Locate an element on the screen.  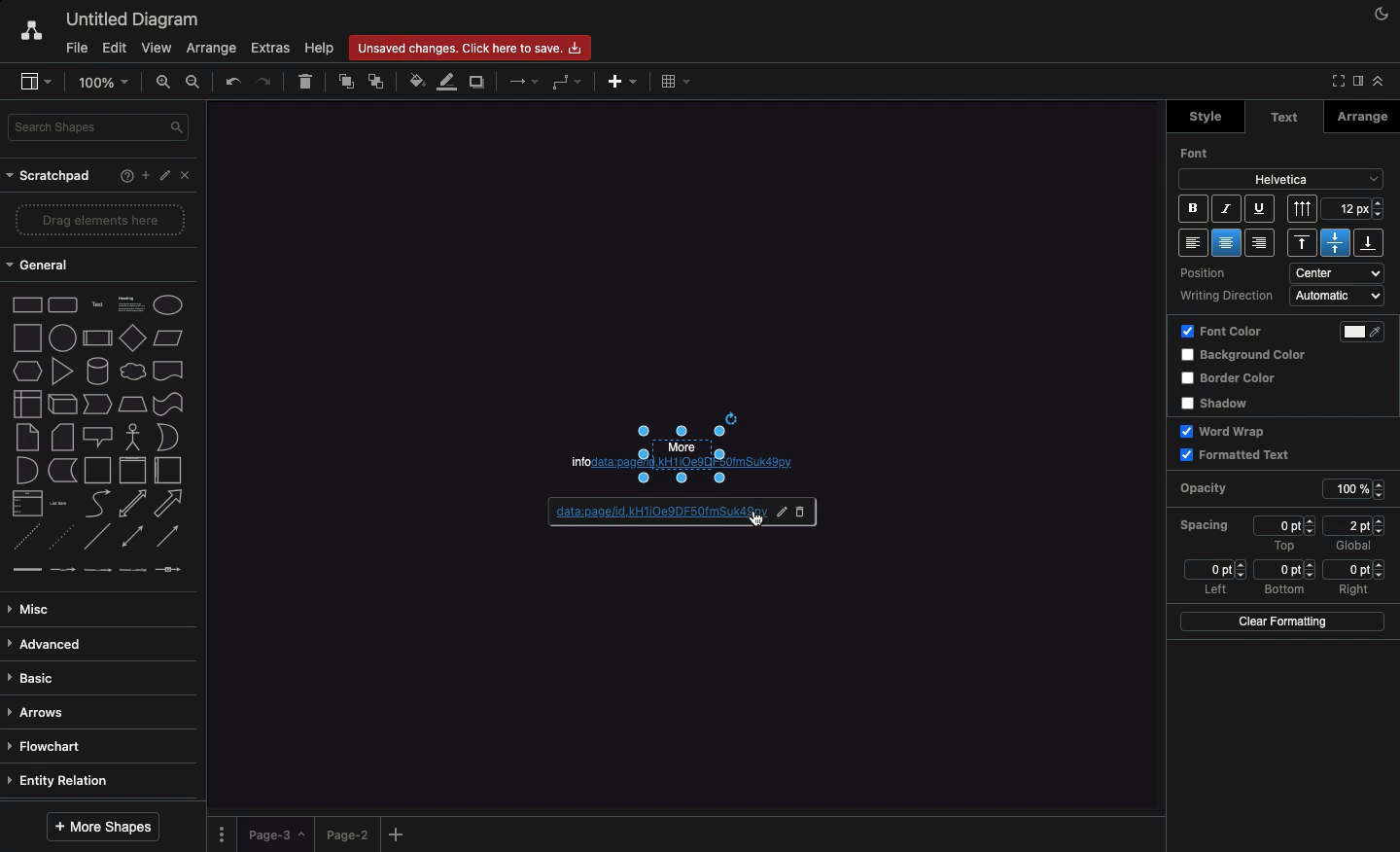
Unsaved changes. click here to save is located at coordinates (468, 47).